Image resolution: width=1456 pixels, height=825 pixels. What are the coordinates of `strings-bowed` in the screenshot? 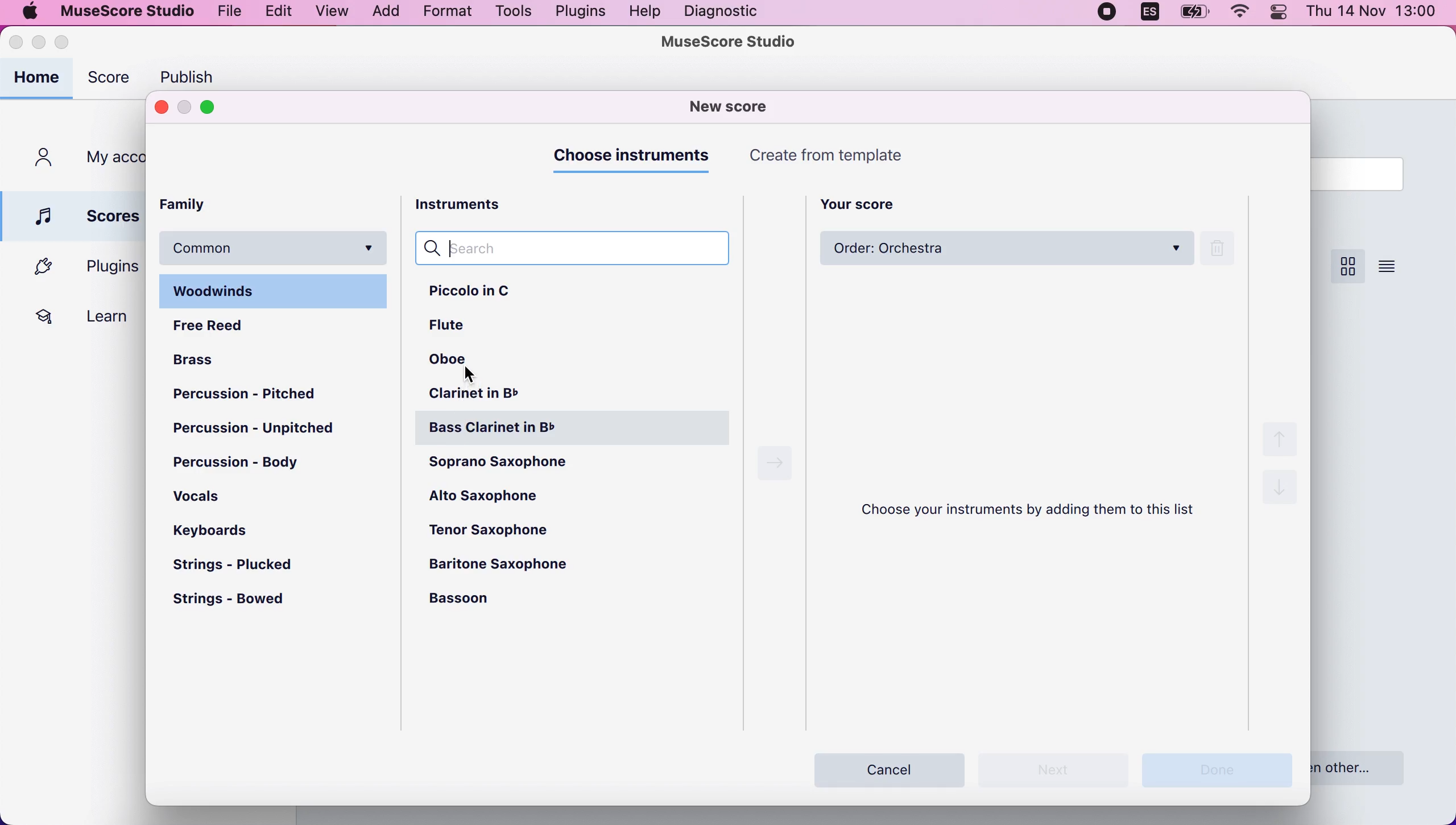 It's located at (237, 603).